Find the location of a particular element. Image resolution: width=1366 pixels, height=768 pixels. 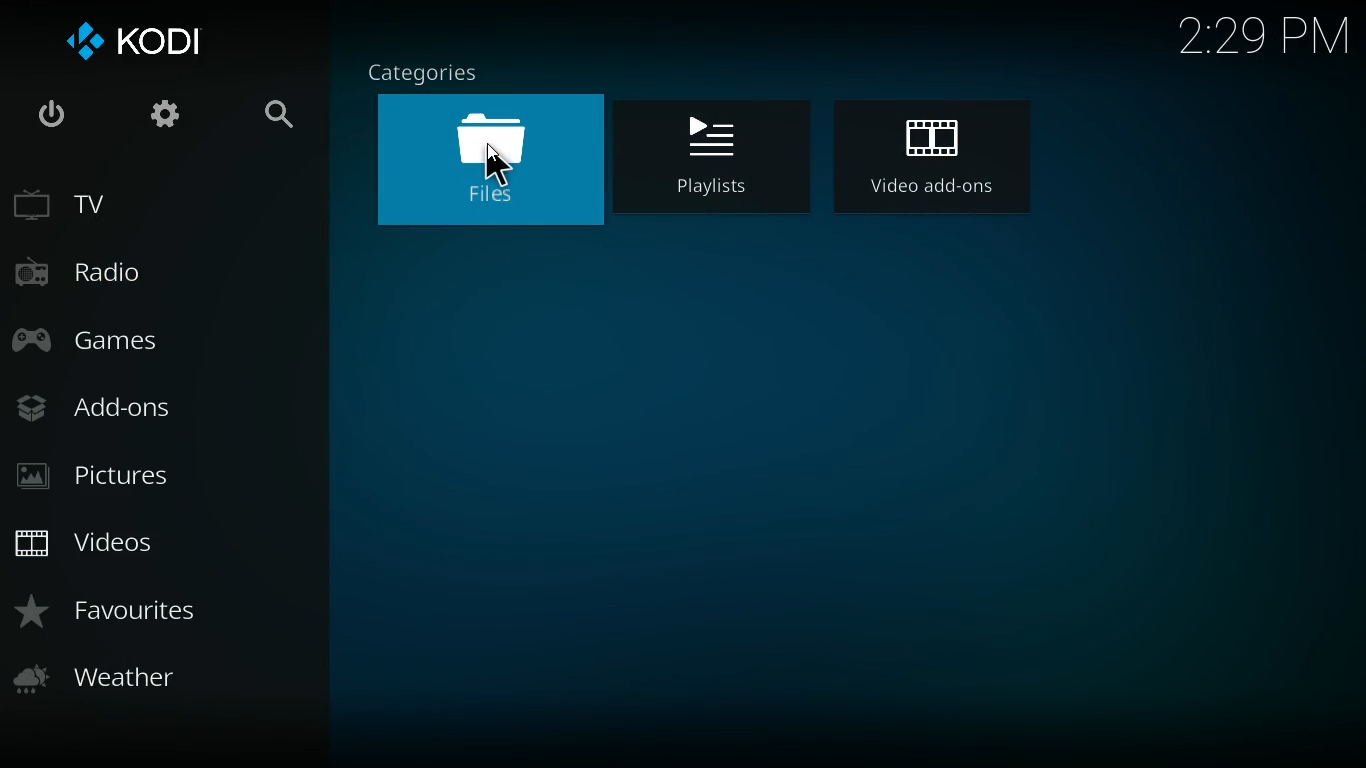

video add-ons is located at coordinates (937, 157).